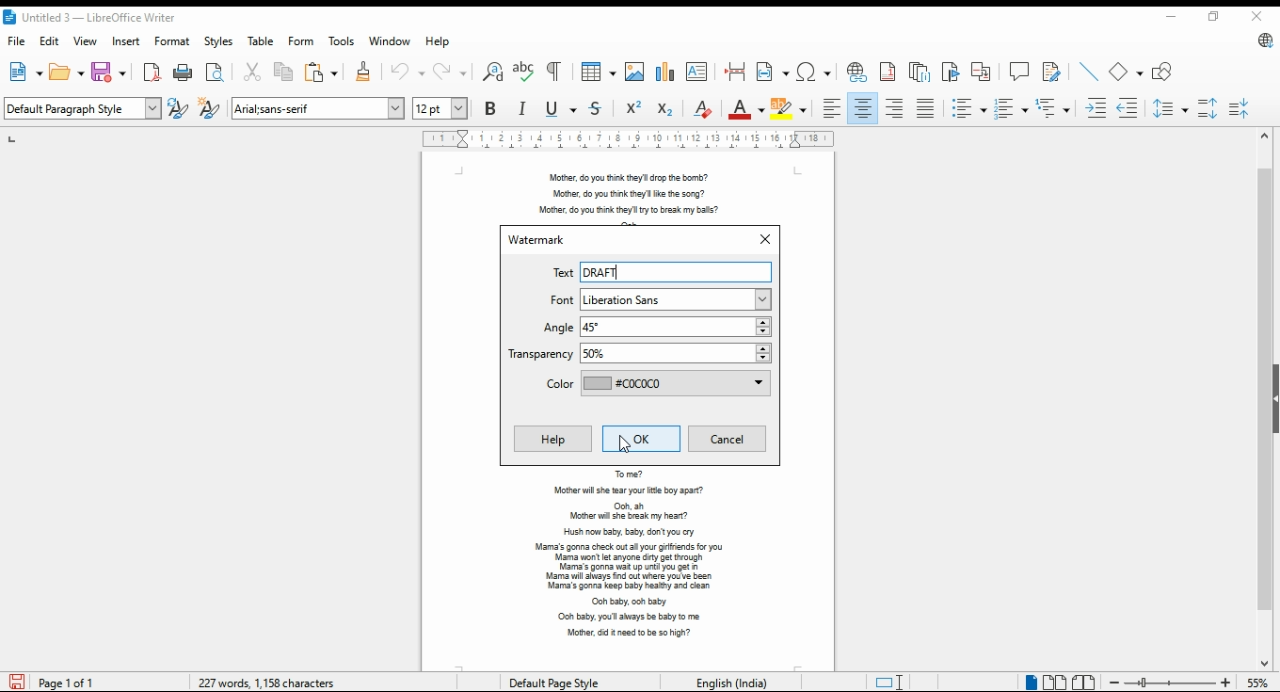  What do you see at coordinates (1128, 108) in the screenshot?
I see `decrease indent` at bounding box center [1128, 108].